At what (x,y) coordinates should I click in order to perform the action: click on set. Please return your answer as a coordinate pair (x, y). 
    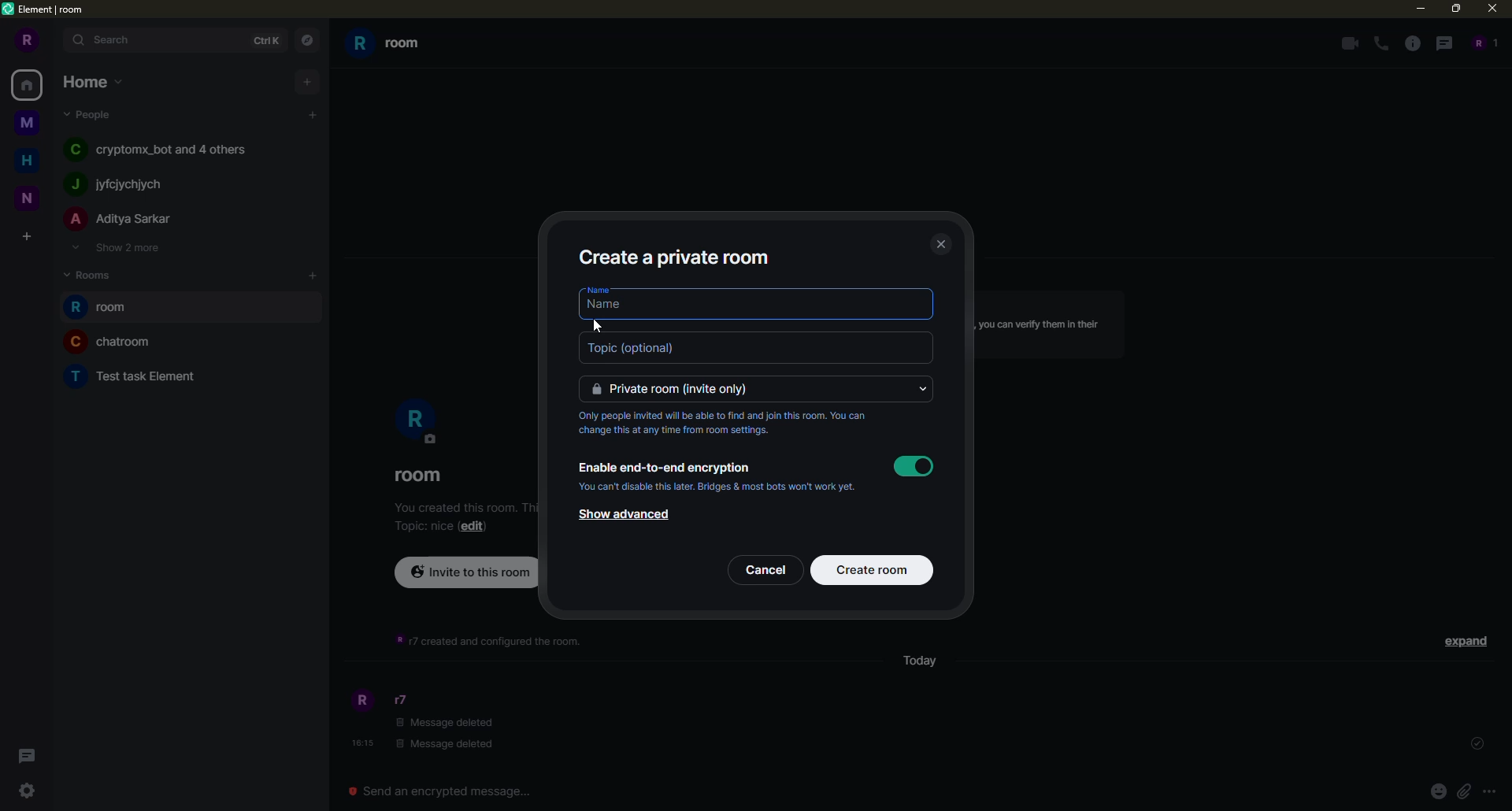
    Looking at the image, I should click on (1479, 742).